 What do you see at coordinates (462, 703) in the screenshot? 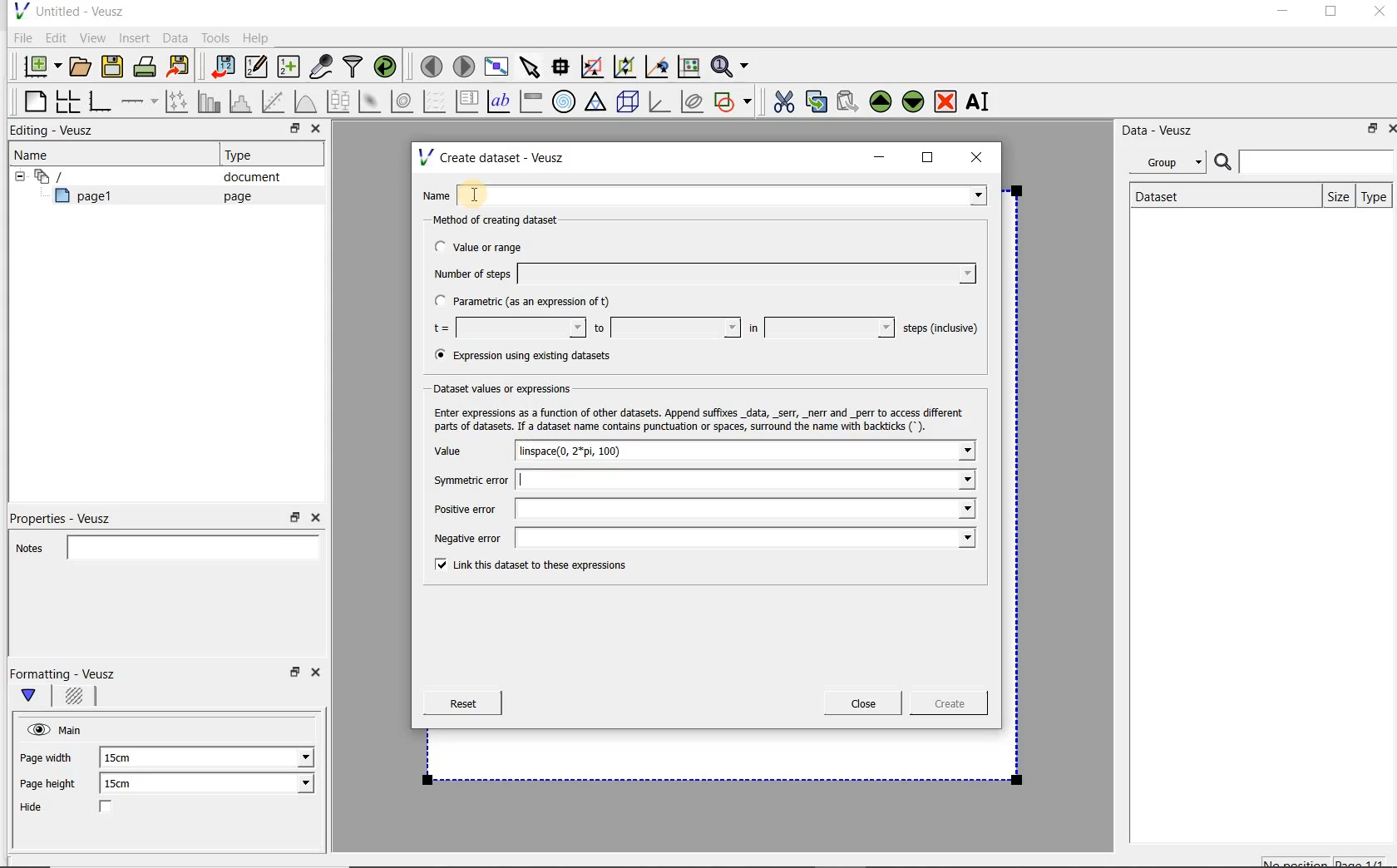
I see `Reset` at bounding box center [462, 703].